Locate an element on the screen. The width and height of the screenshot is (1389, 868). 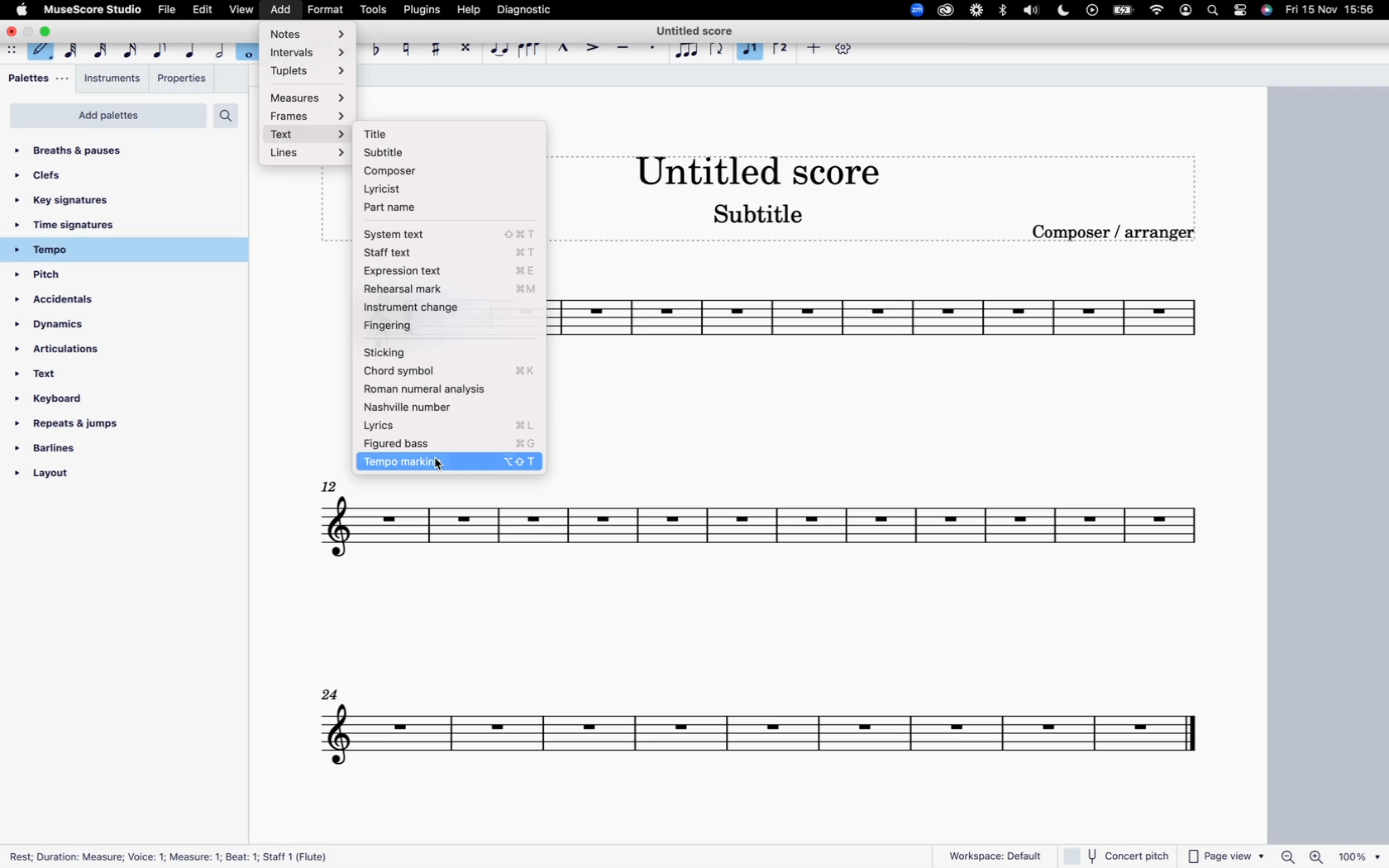
view is located at coordinates (241, 10).